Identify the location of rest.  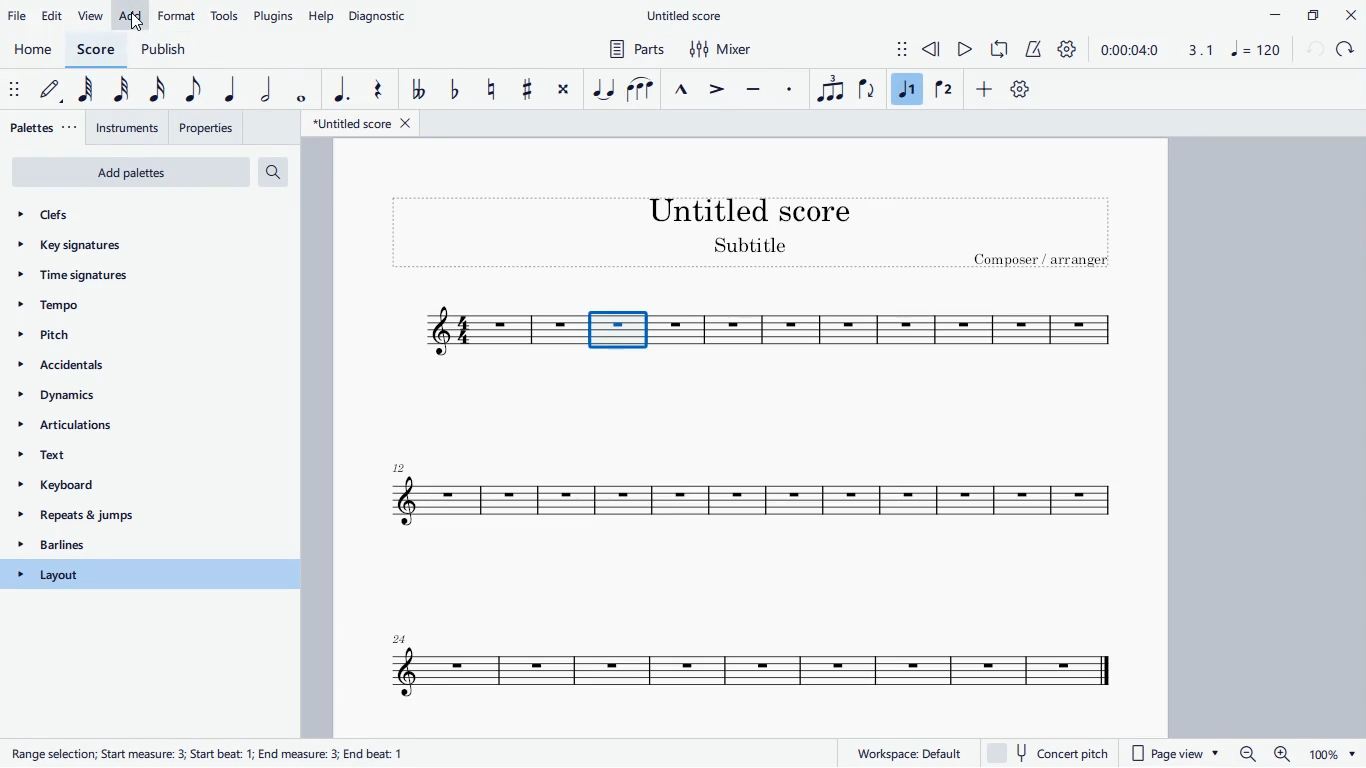
(377, 89).